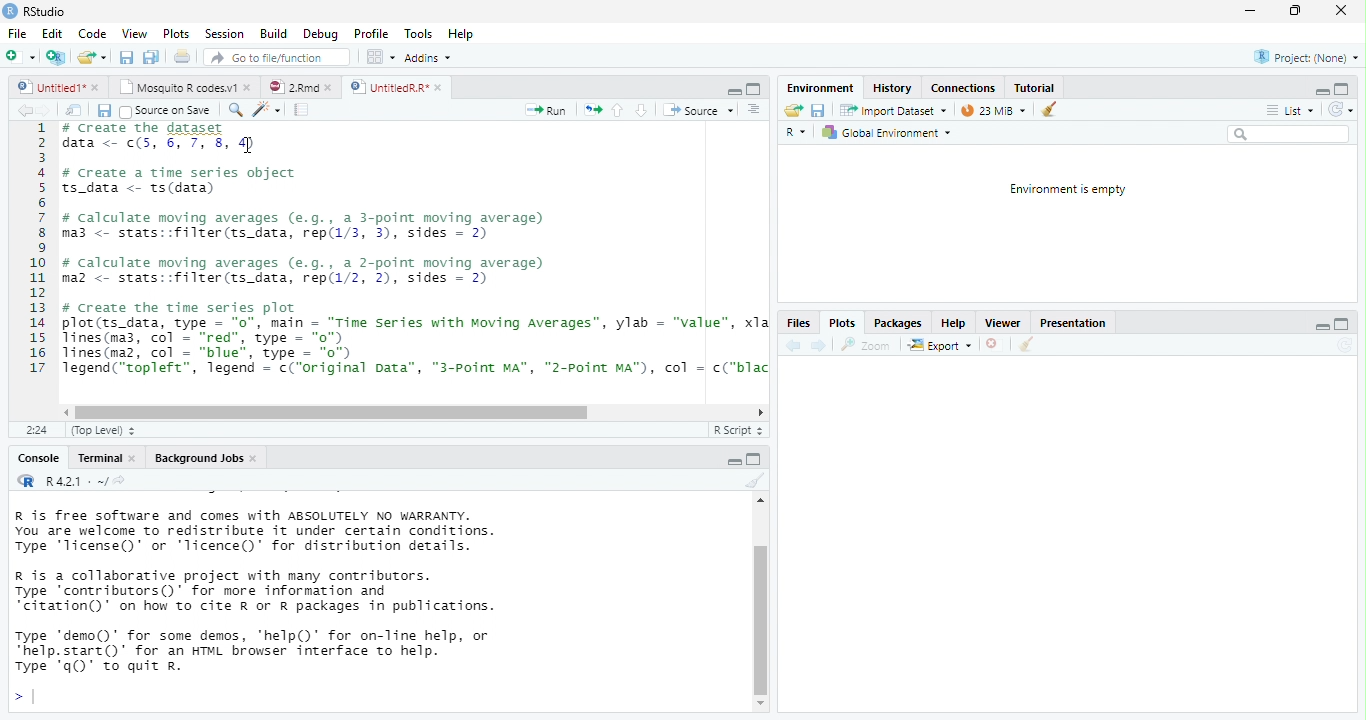 This screenshot has height=720, width=1366. Describe the element at coordinates (399, 261) in the screenshot. I see `1 # create the dataset data <- ¢(5, 6, 7, 8, 4)34 # create a time series object5 ts_data <- ts(data)67 # calculate moving averages (e.g., a 3-point moving average)8 ma3 <- stats::filter(ts_data, rep(1/3, 3), sides = 2)910 # calculate moving averages (e.g., a 2-point moving average)11 maz <- stats::filter(ts_data, rep(1/2, 2), sides = 2)1213 # Create the time series plot14 plot(ts_data, type = "0", main = “Time Series with Moving Averages”, ylab = "value", xla15 lines(ma3, col - “red”, type = "0")16 lines(maz, col = “blue”, type = "o")17 Tegend(“topleft”, legend = c("original Data”, “"3-Point MA”, "2-Point MA"), col = c("blac` at that location.